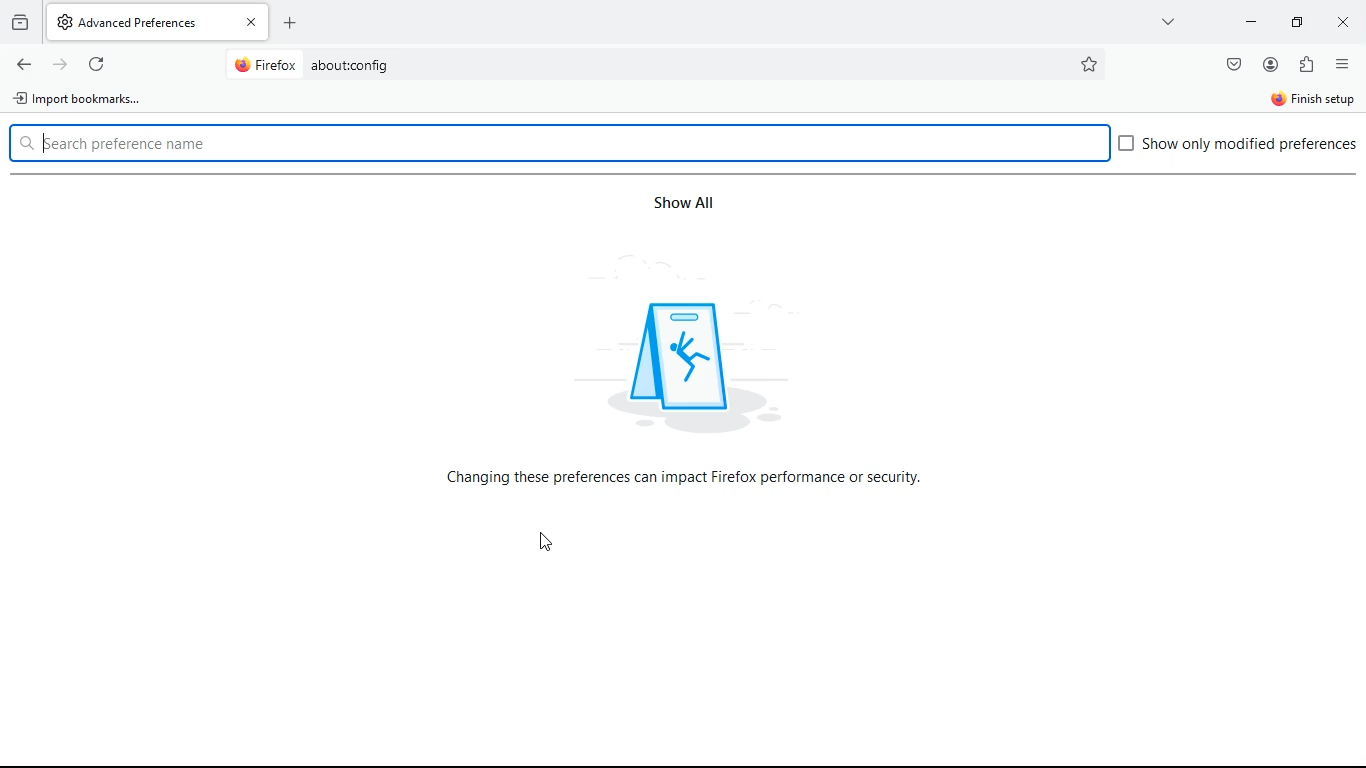  I want to click on search box, so click(560, 142).